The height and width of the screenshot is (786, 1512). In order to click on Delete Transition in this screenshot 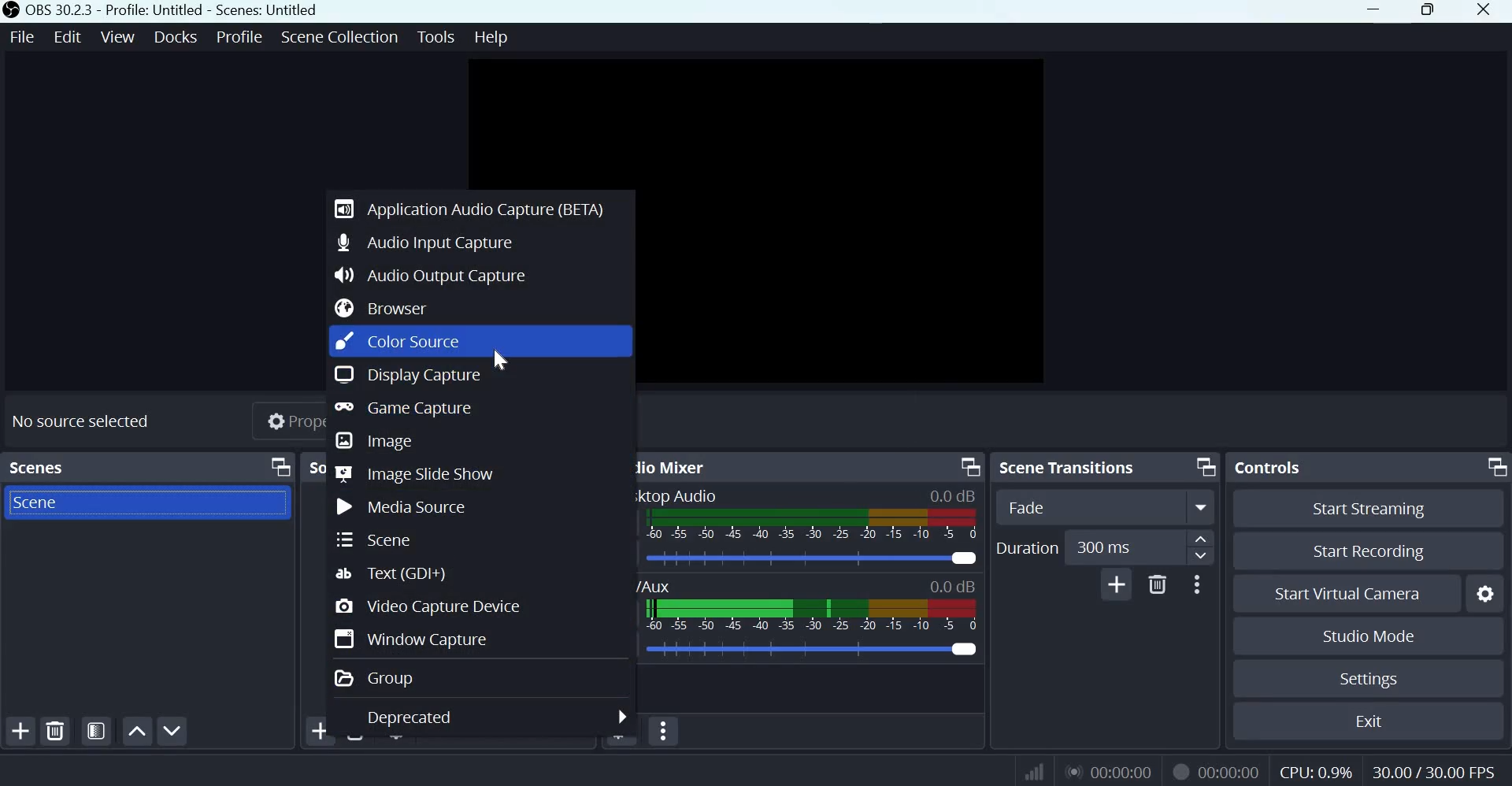, I will do `click(1158, 584)`.